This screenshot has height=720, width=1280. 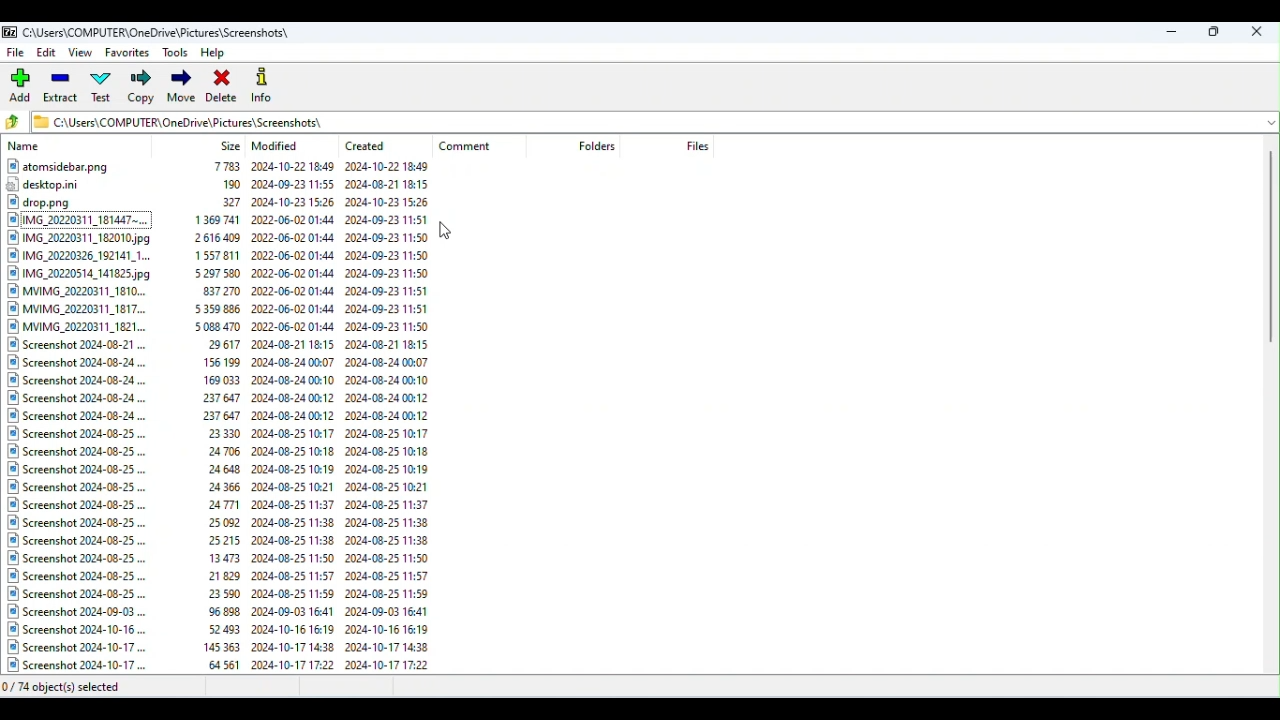 What do you see at coordinates (1214, 31) in the screenshot?
I see `Maximize` at bounding box center [1214, 31].